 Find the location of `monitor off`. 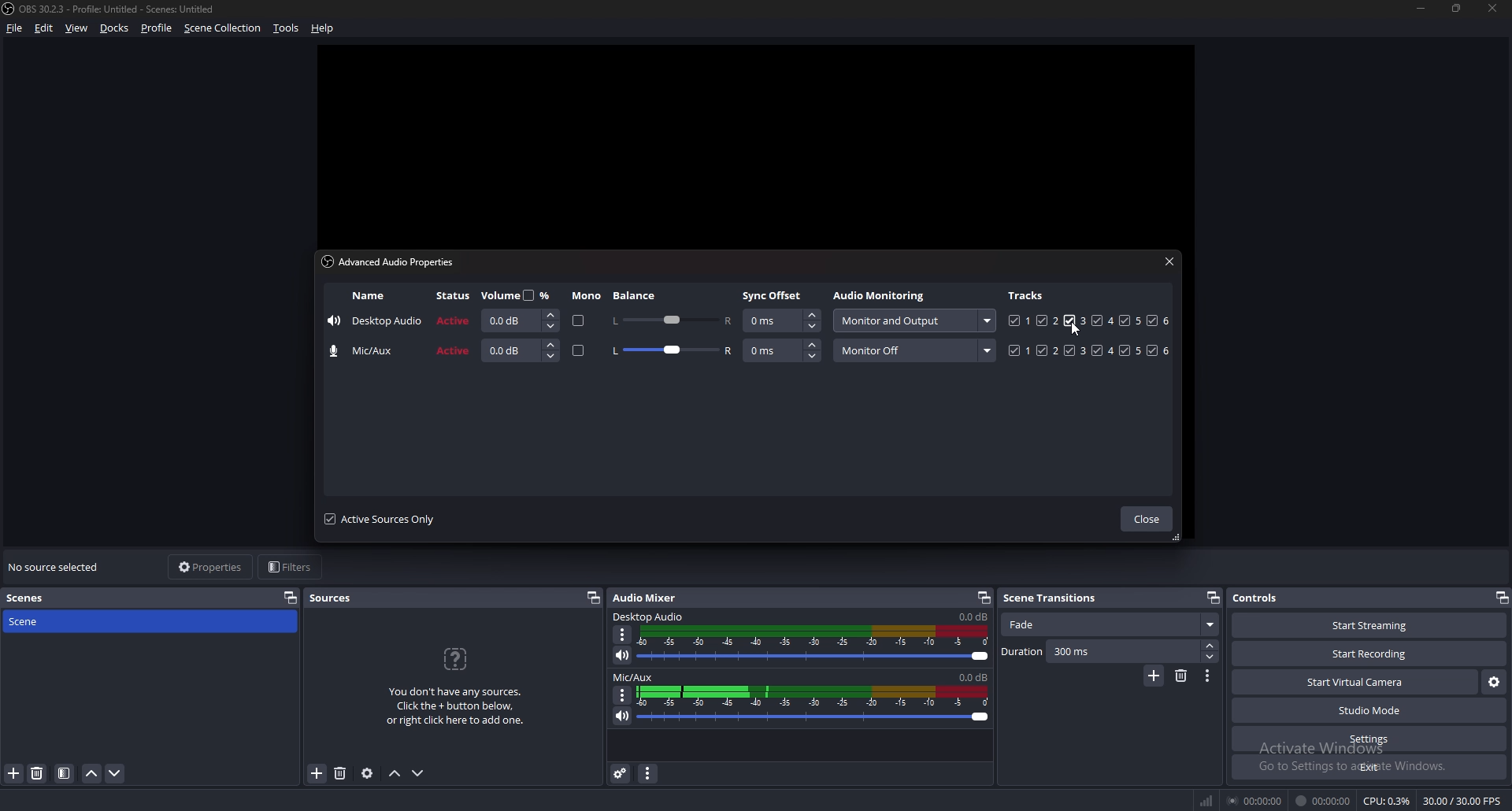

monitor off is located at coordinates (914, 350).